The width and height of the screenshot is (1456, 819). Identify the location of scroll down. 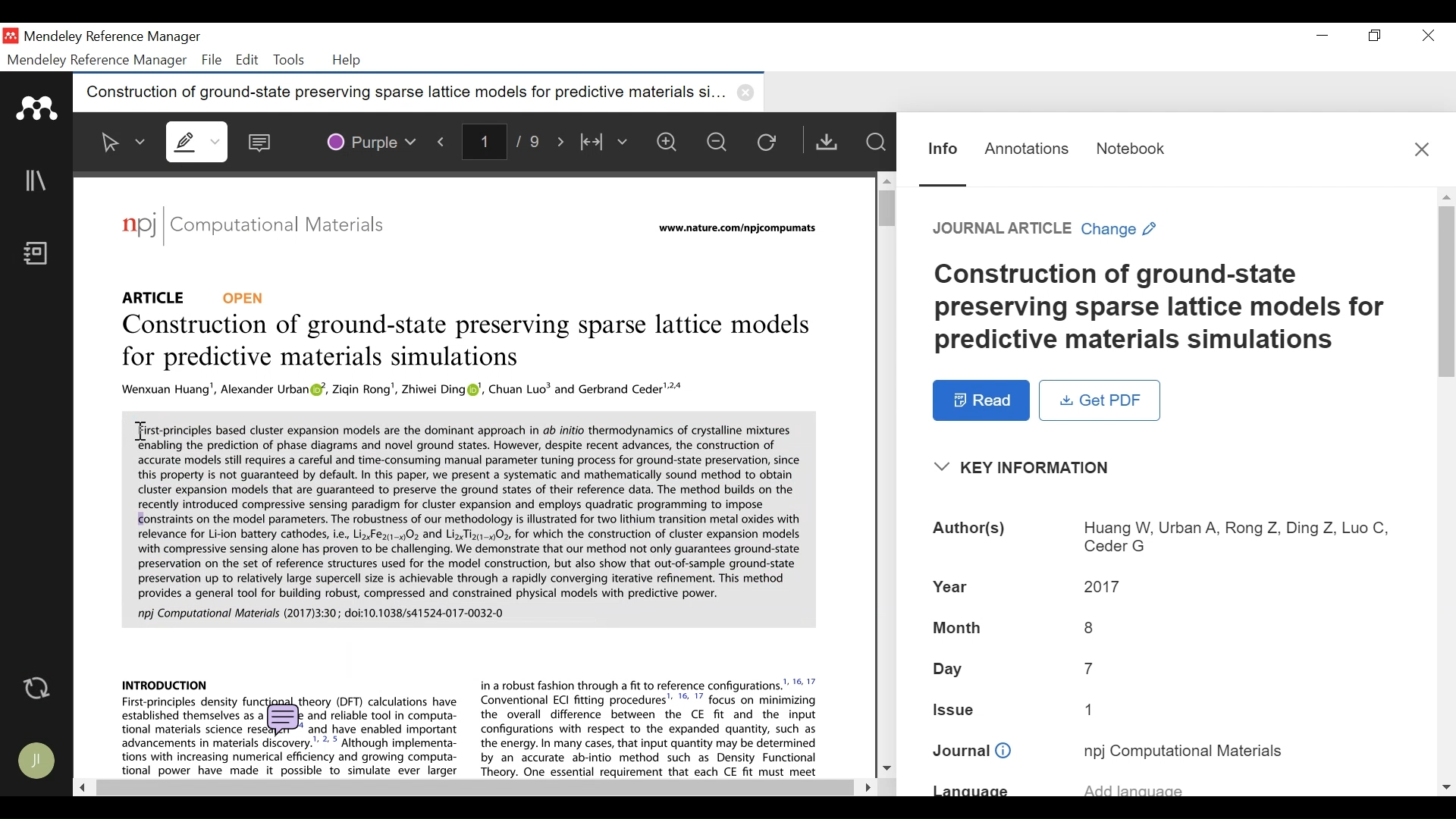
(1446, 787).